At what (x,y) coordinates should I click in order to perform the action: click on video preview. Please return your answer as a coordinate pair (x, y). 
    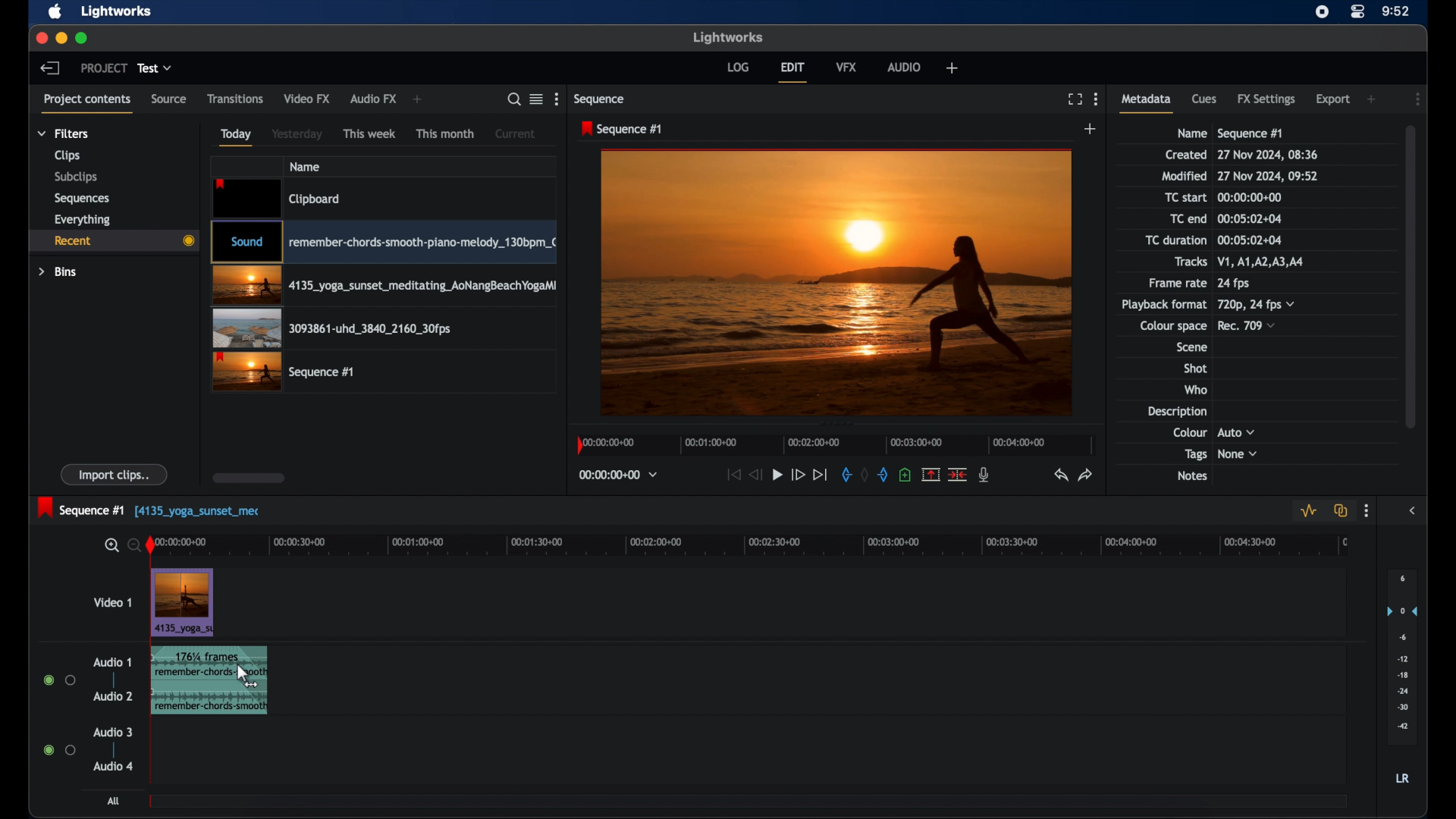
    Looking at the image, I should click on (836, 281).